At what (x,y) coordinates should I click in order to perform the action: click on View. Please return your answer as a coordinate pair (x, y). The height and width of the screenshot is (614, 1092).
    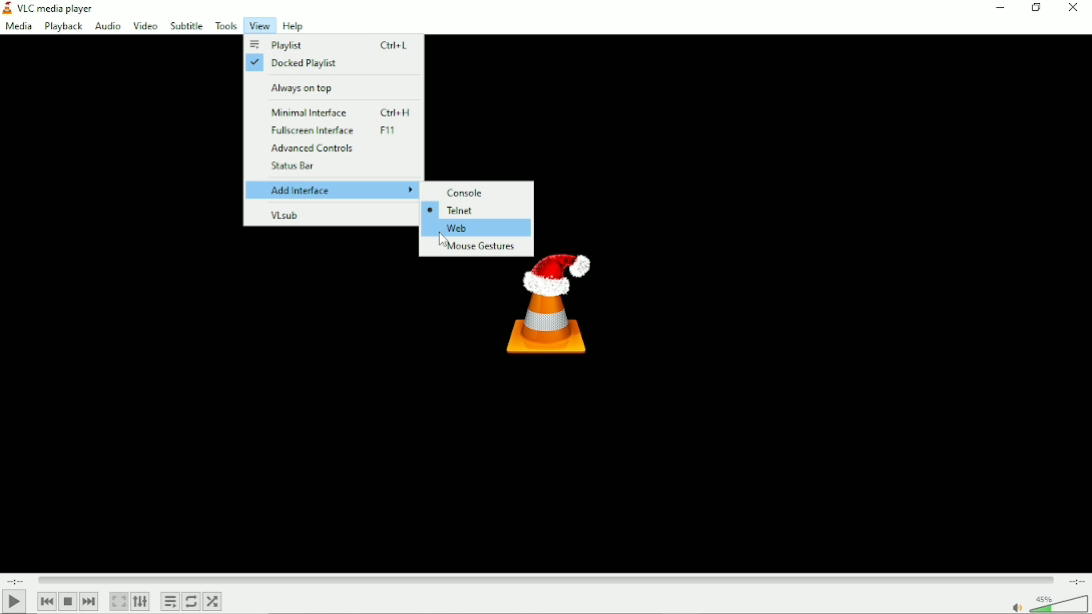
    Looking at the image, I should click on (258, 27).